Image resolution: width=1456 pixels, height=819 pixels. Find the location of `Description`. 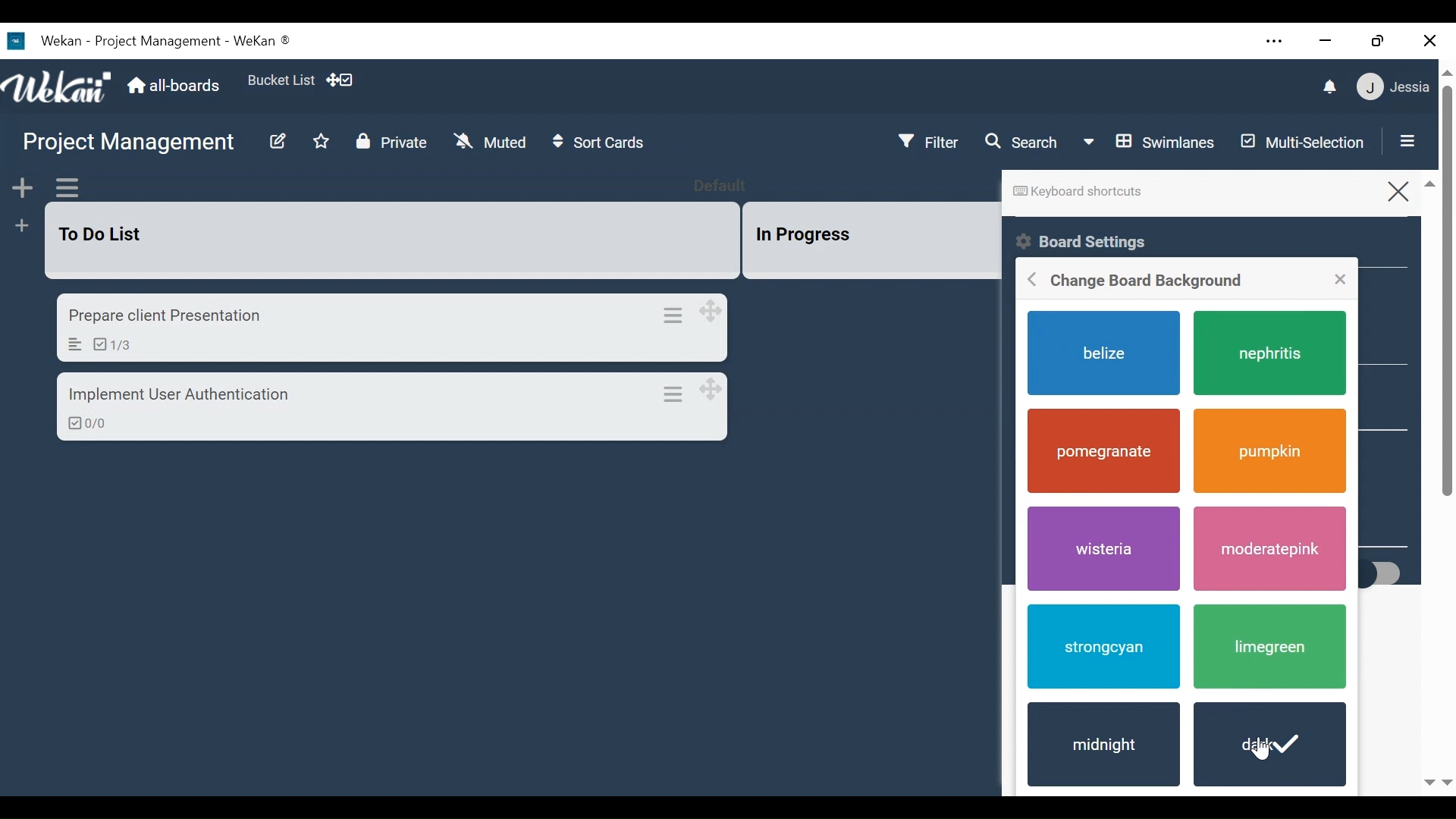

Description is located at coordinates (71, 344).